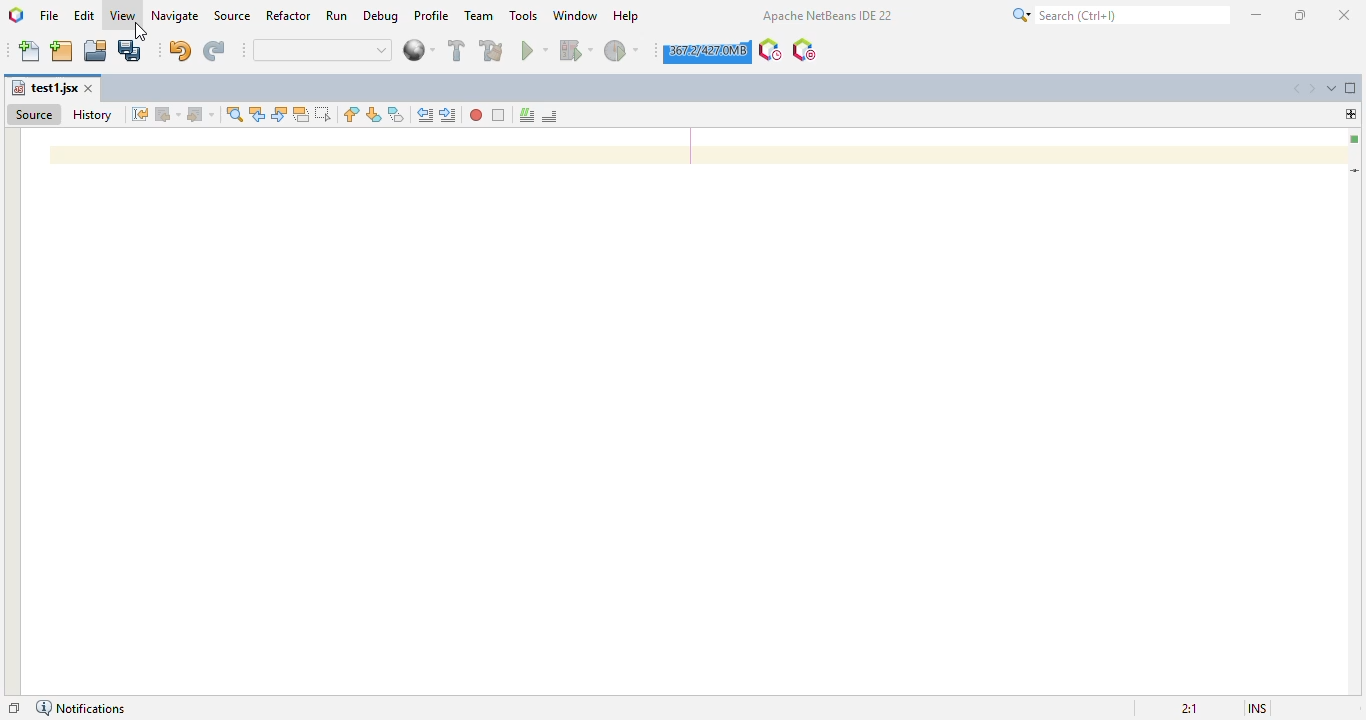 Image resolution: width=1366 pixels, height=720 pixels. Describe the element at coordinates (549, 116) in the screenshot. I see `uncomment` at that location.